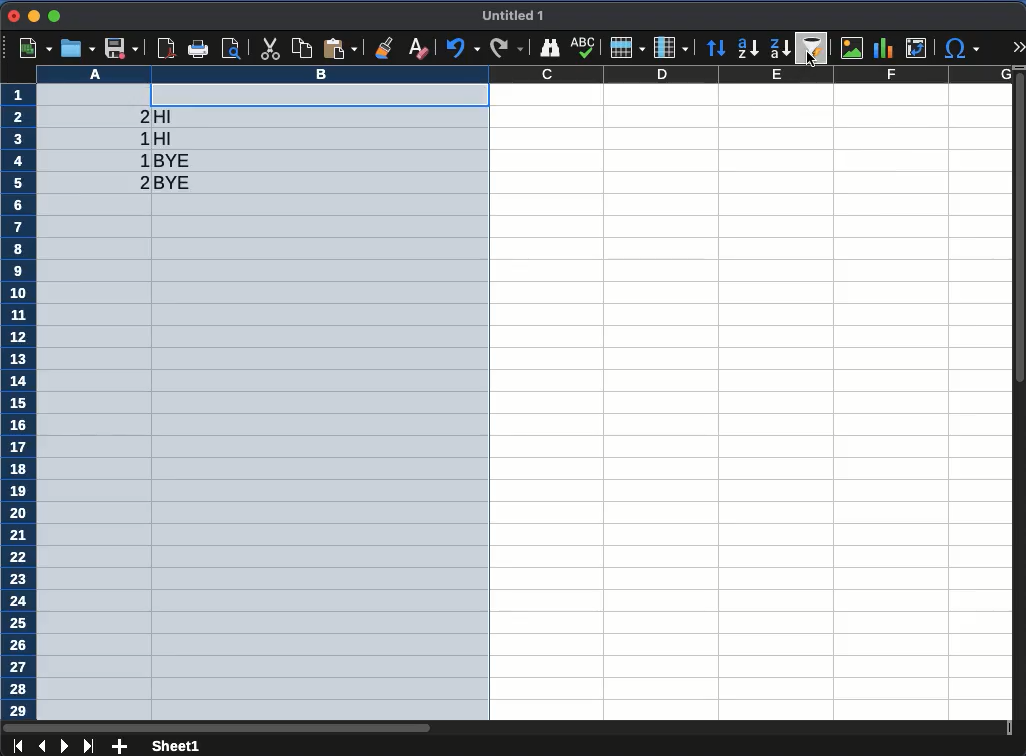 This screenshot has width=1026, height=756. What do you see at coordinates (851, 47) in the screenshot?
I see `chart` at bounding box center [851, 47].